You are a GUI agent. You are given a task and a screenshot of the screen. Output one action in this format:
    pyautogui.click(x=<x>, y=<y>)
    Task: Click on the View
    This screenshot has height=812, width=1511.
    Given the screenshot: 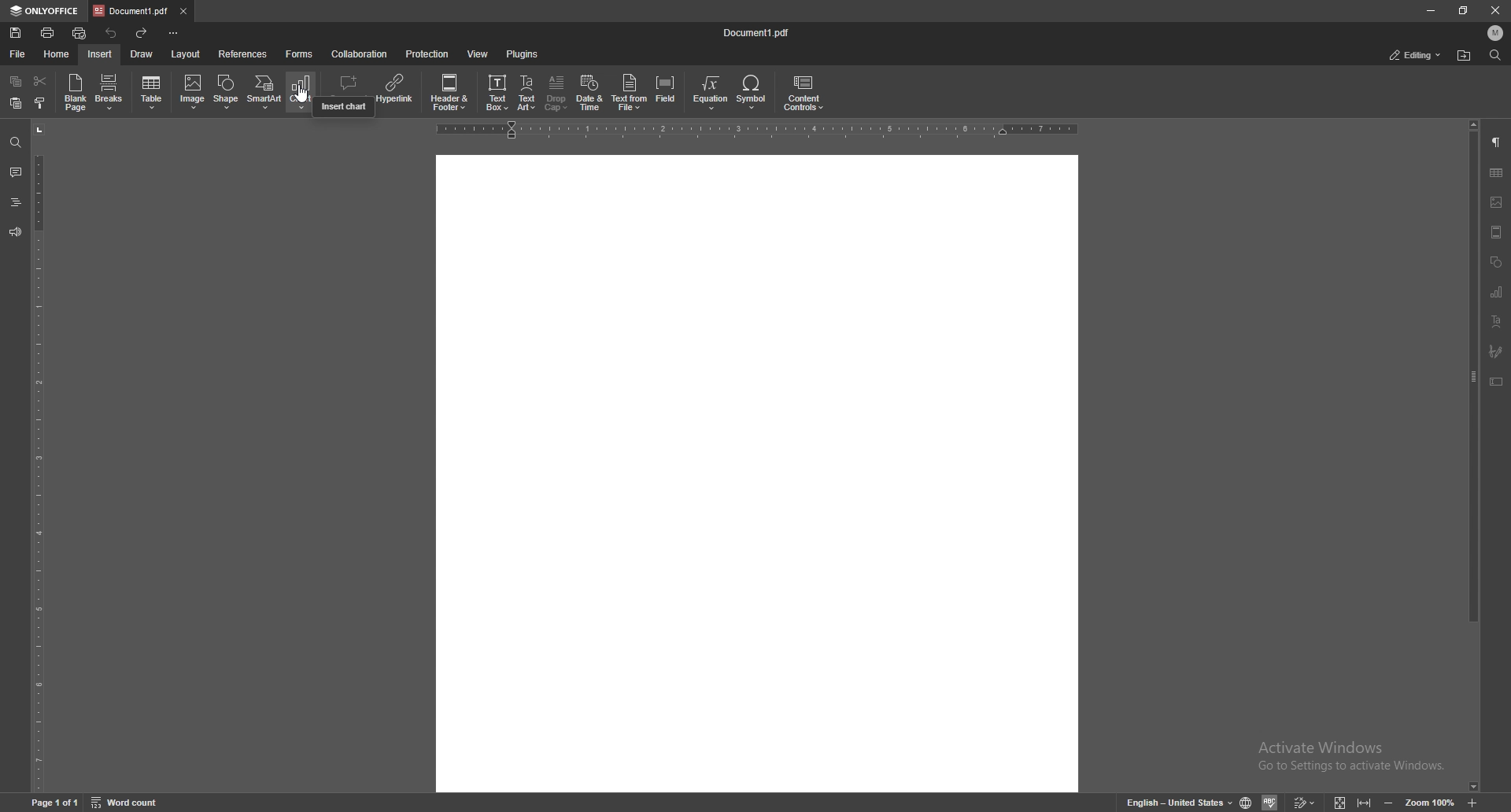 What is the action you would take?
    pyautogui.click(x=1337, y=803)
    